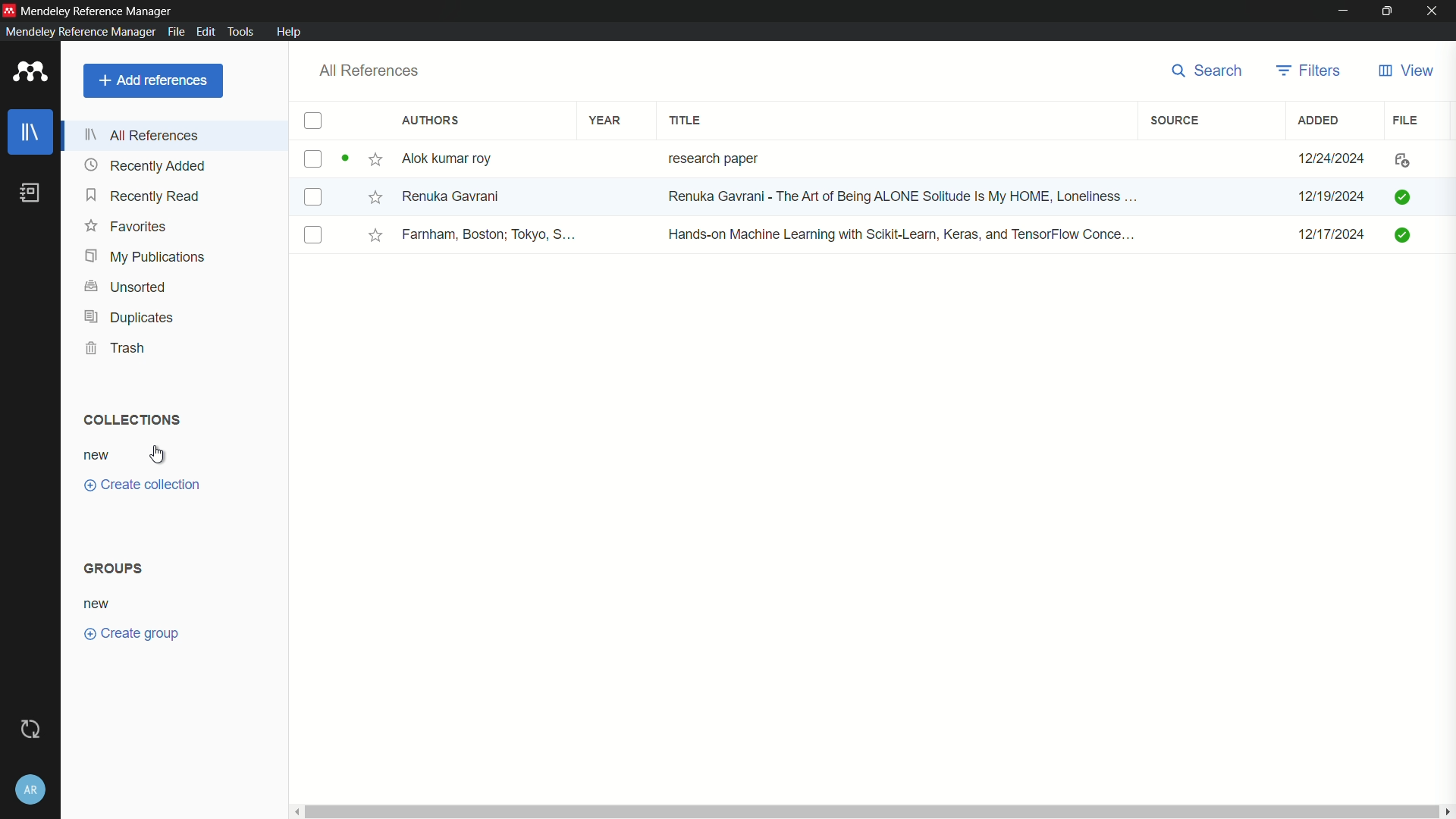  What do you see at coordinates (874, 811) in the screenshot?
I see `Scroll bar` at bounding box center [874, 811].